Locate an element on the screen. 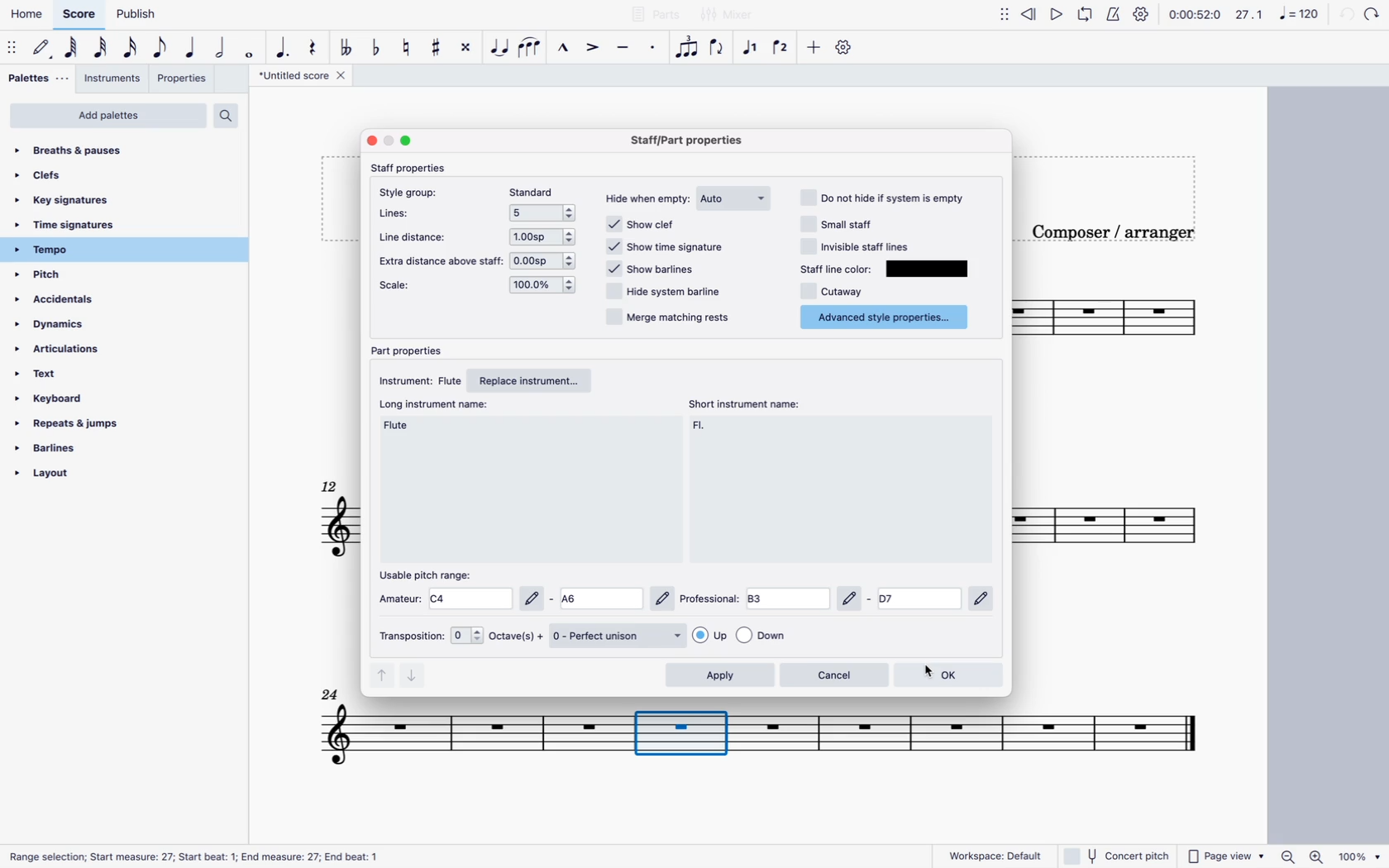 The width and height of the screenshot is (1389, 868). score is located at coordinates (81, 13).